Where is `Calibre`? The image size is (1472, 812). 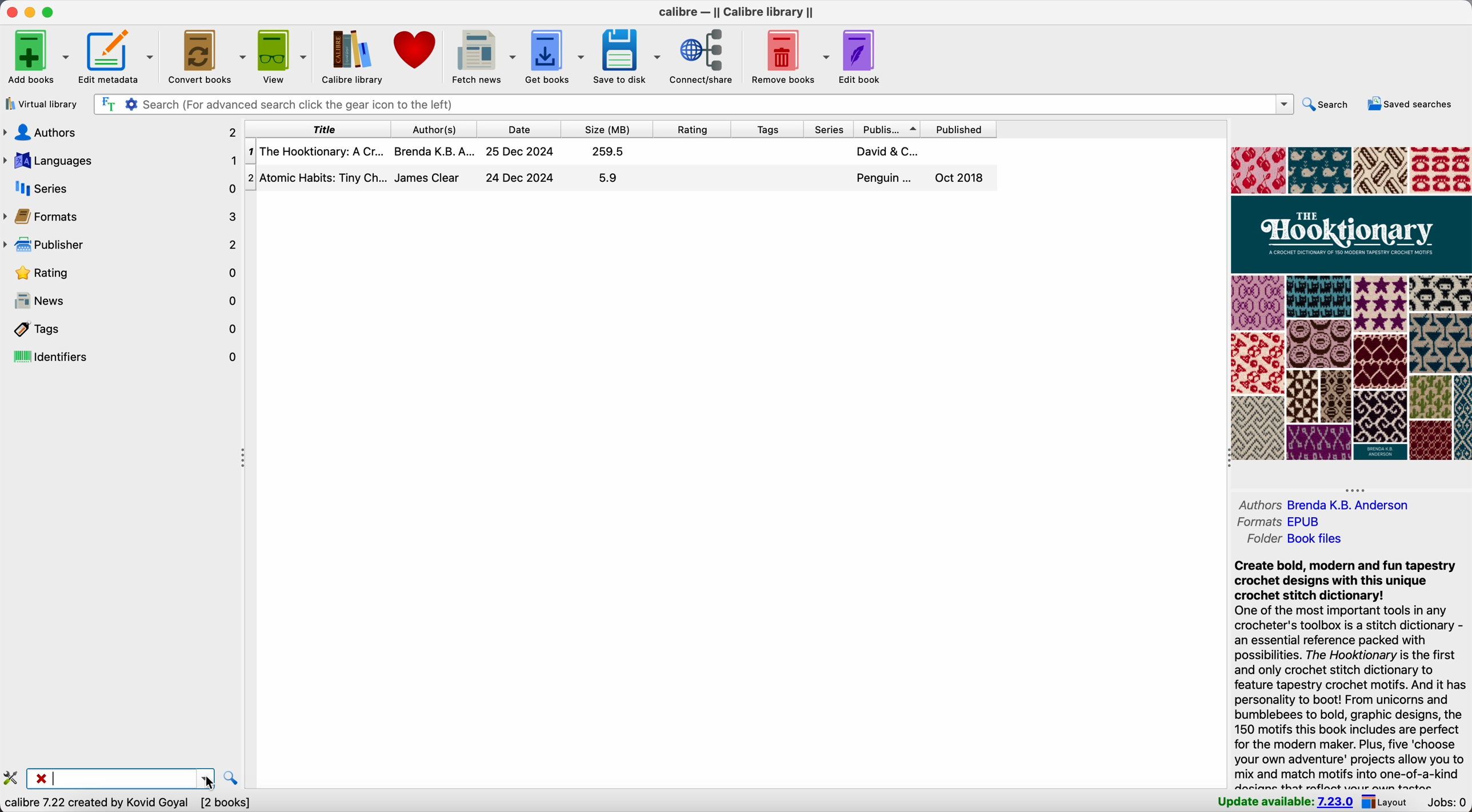 Calibre is located at coordinates (740, 12).